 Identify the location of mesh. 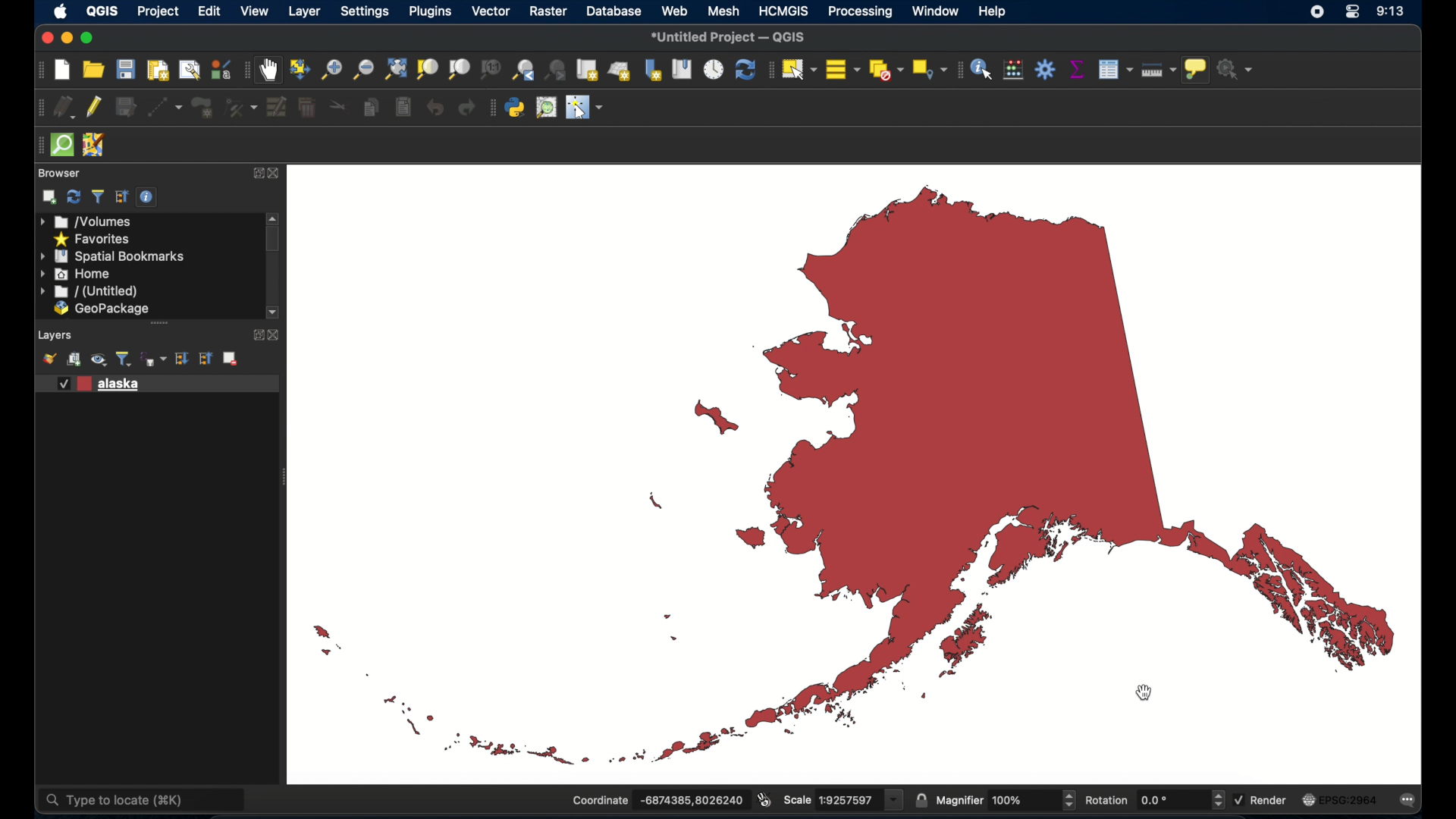
(724, 11).